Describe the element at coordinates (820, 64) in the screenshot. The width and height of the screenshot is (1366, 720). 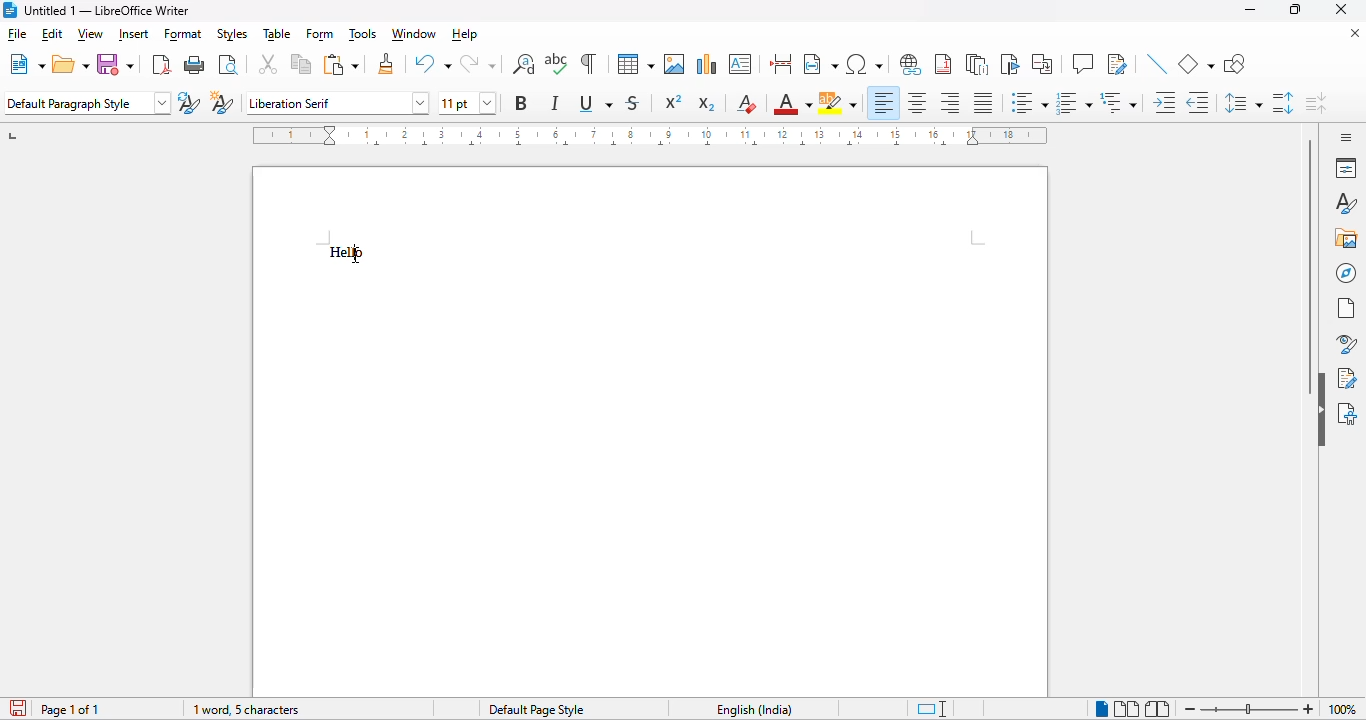
I see `insert field` at that location.